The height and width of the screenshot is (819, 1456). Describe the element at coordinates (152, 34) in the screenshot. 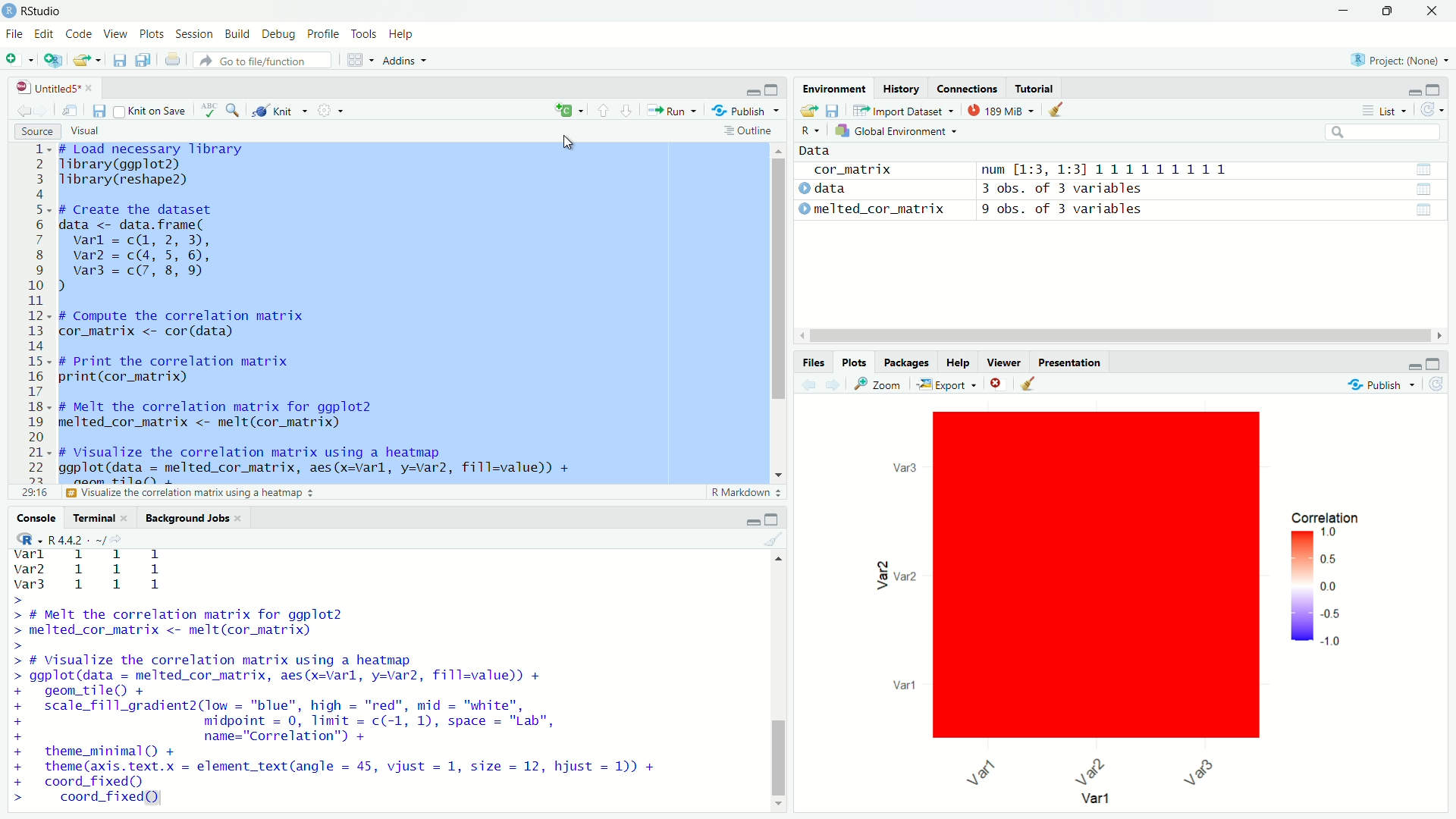

I see `plots` at that location.